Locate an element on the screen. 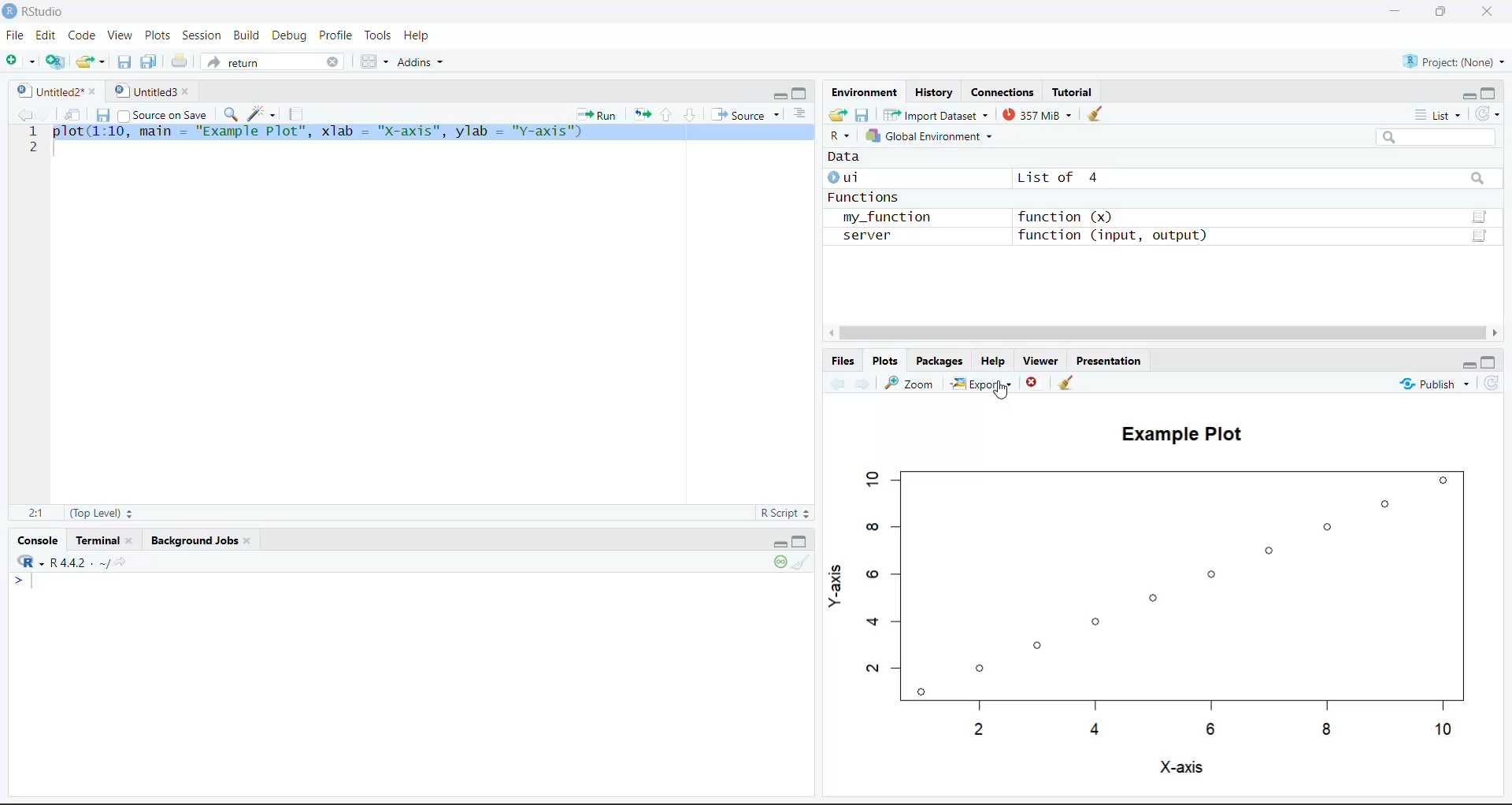 The width and height of the screenshot is (1512, 805). File is located at coordinates (17, 34).